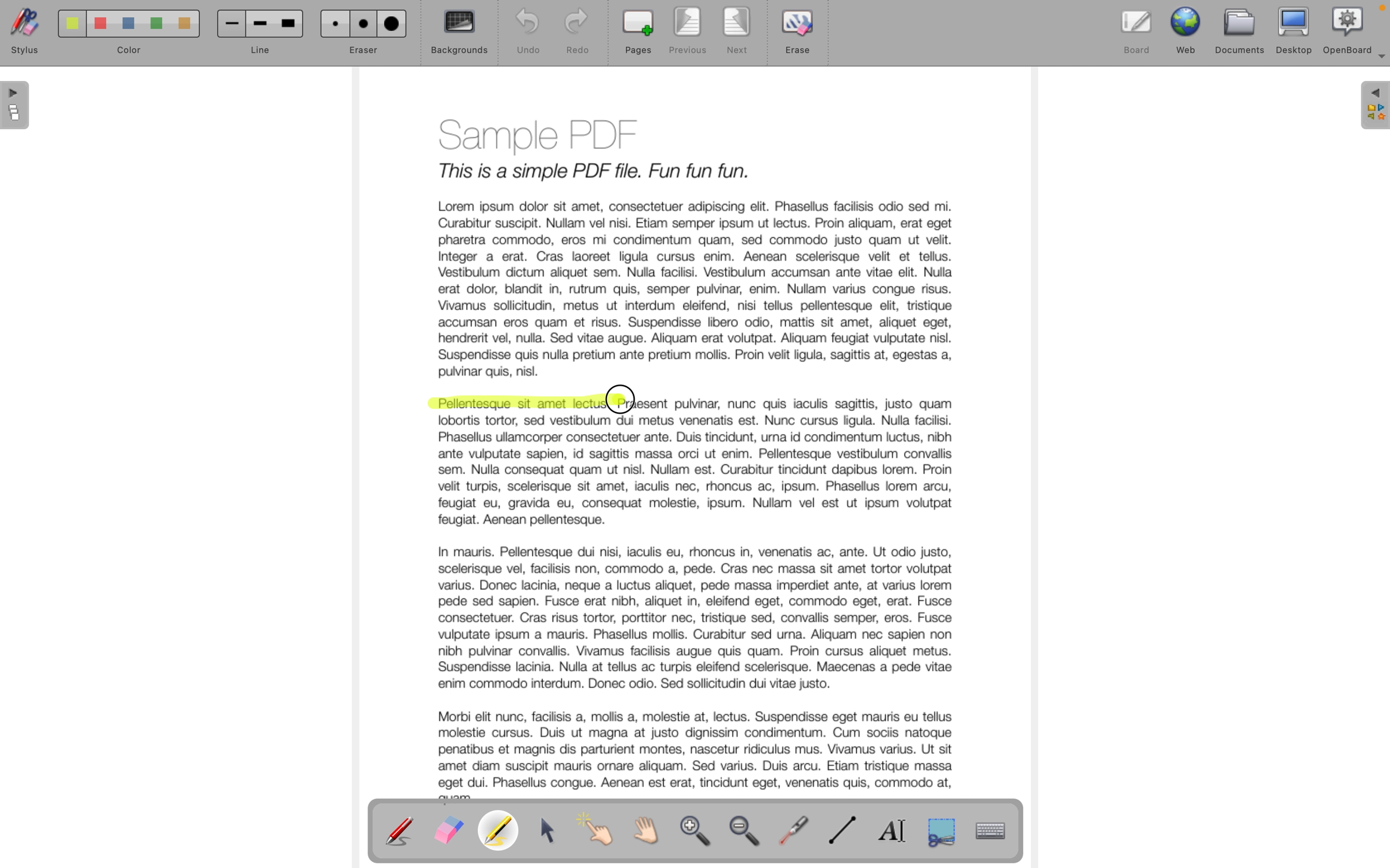 The width and height of the screenshot is (1390, 868). Describe the element at coordinates (1379, 61) in the screenshot. I see `more options` at that location.